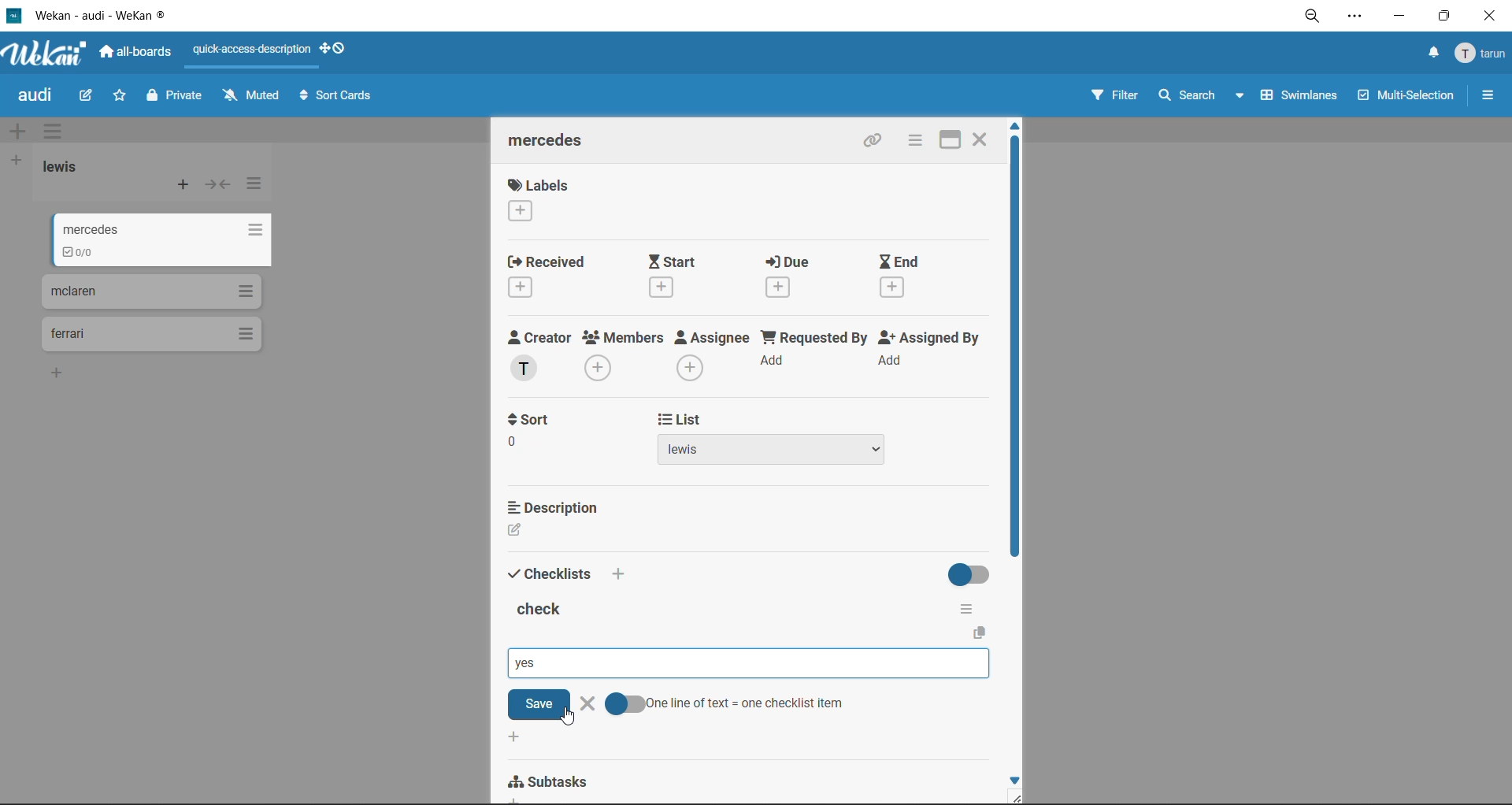 The height and width of the screenshot is (805, 1512). I want to click on assignee, so click(717, 358).